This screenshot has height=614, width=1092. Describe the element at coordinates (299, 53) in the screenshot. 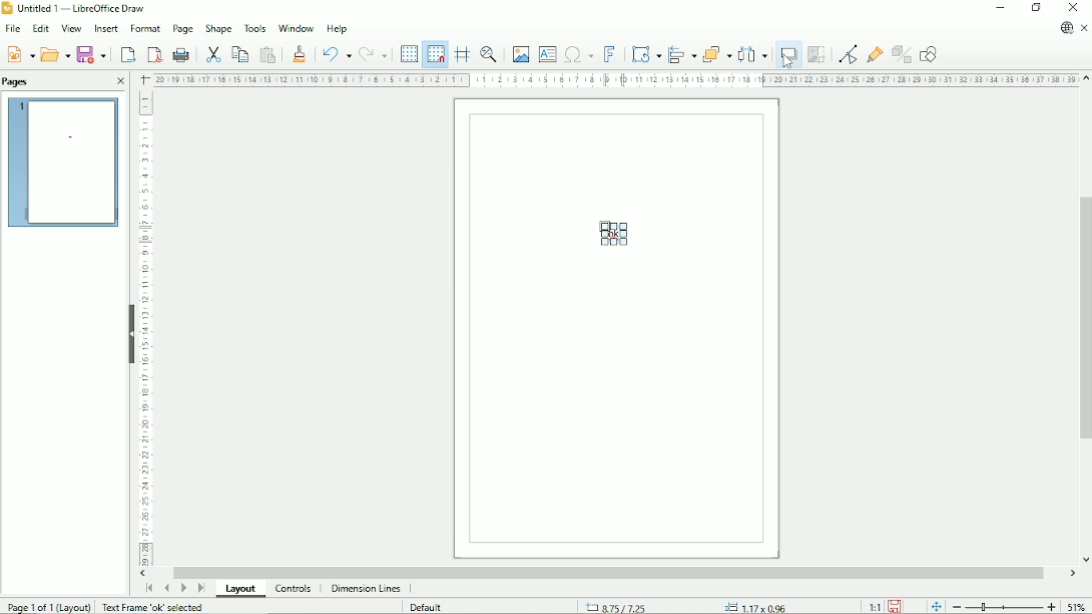

I see `Clone formatting` at that location.